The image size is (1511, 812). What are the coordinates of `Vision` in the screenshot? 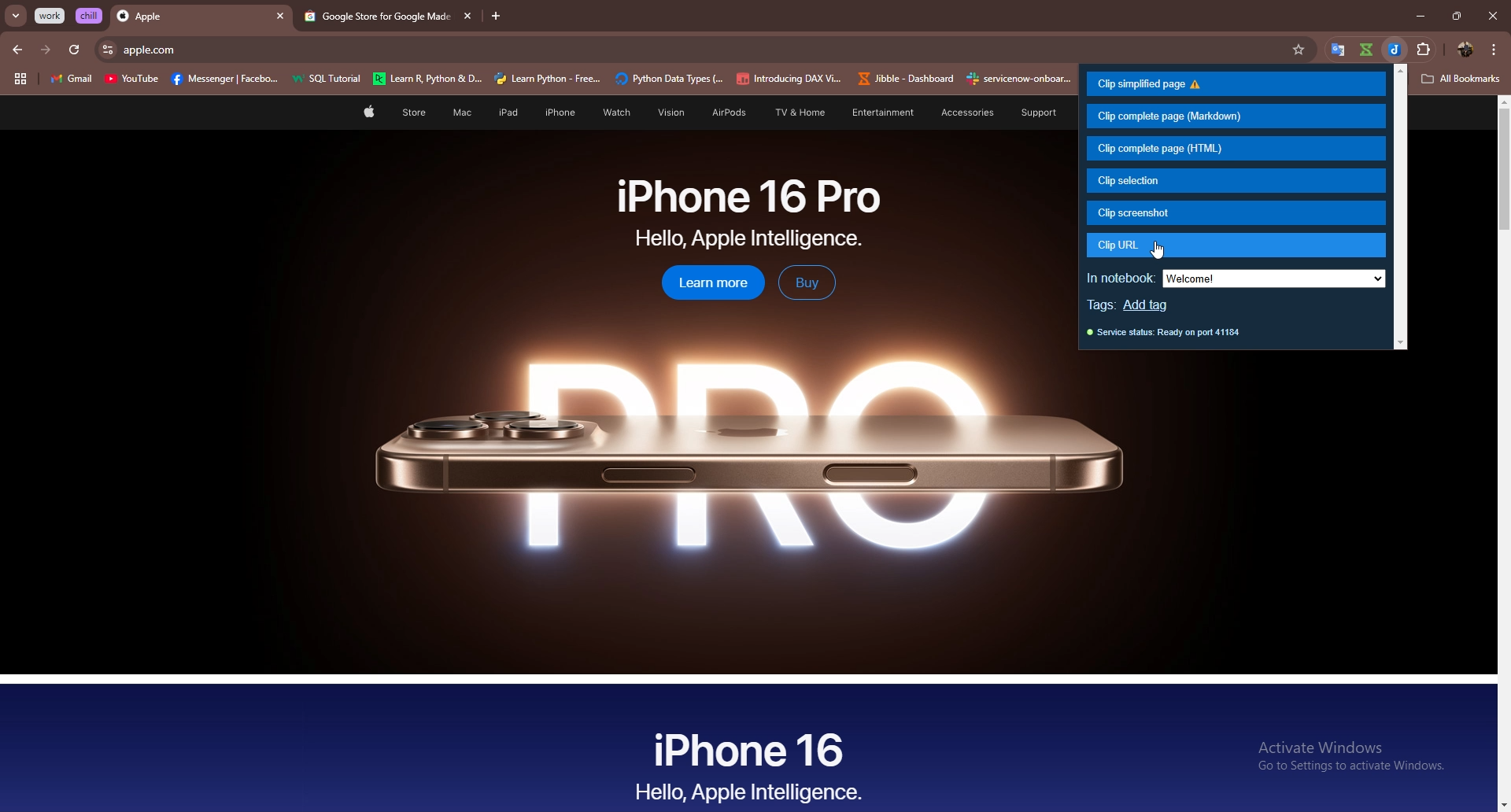 It's located at (666, 113).